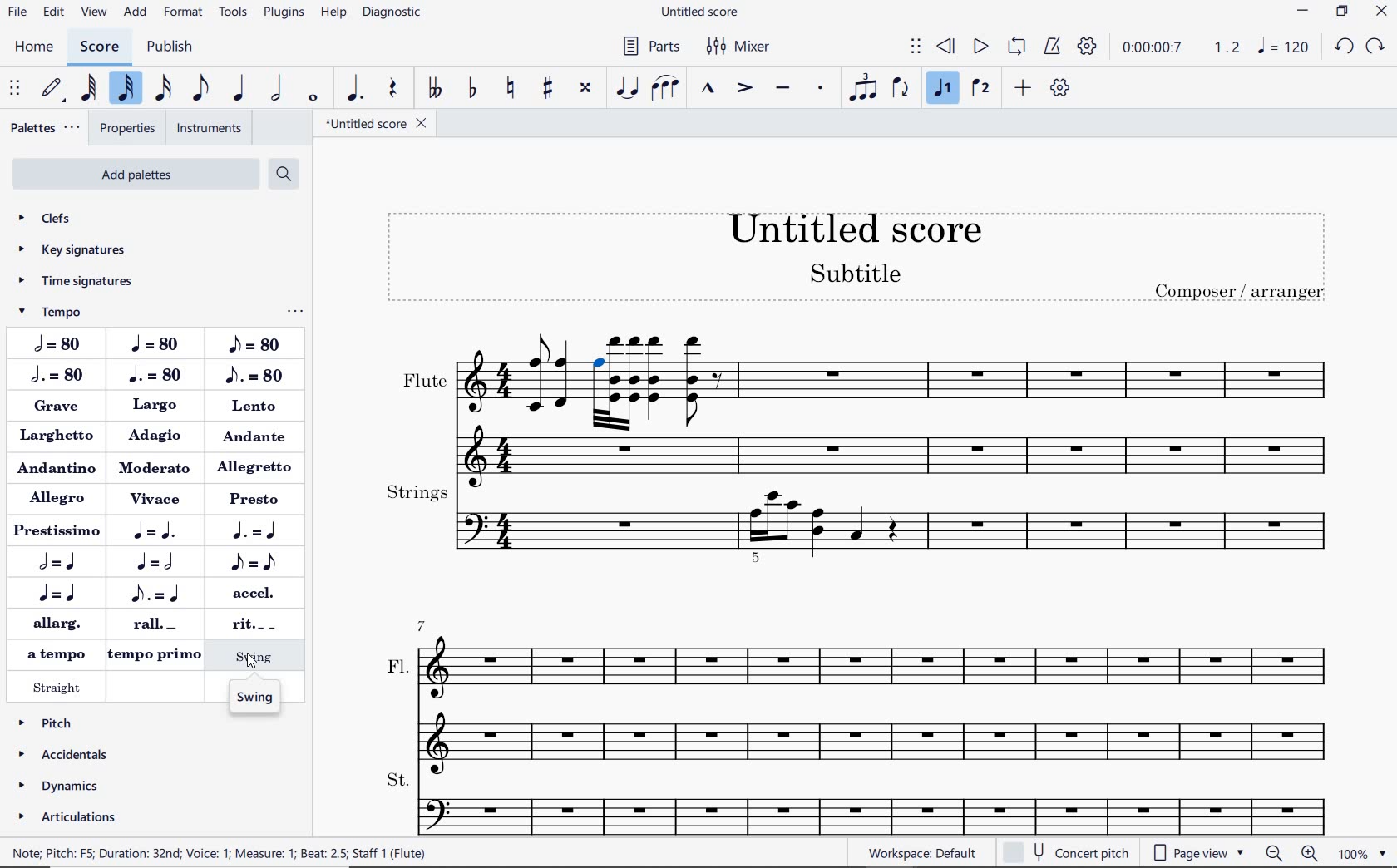  What do you see at coordinates (598, 358) in the screenshot?
I see `SELECTED` at bounding box center [598, 358].